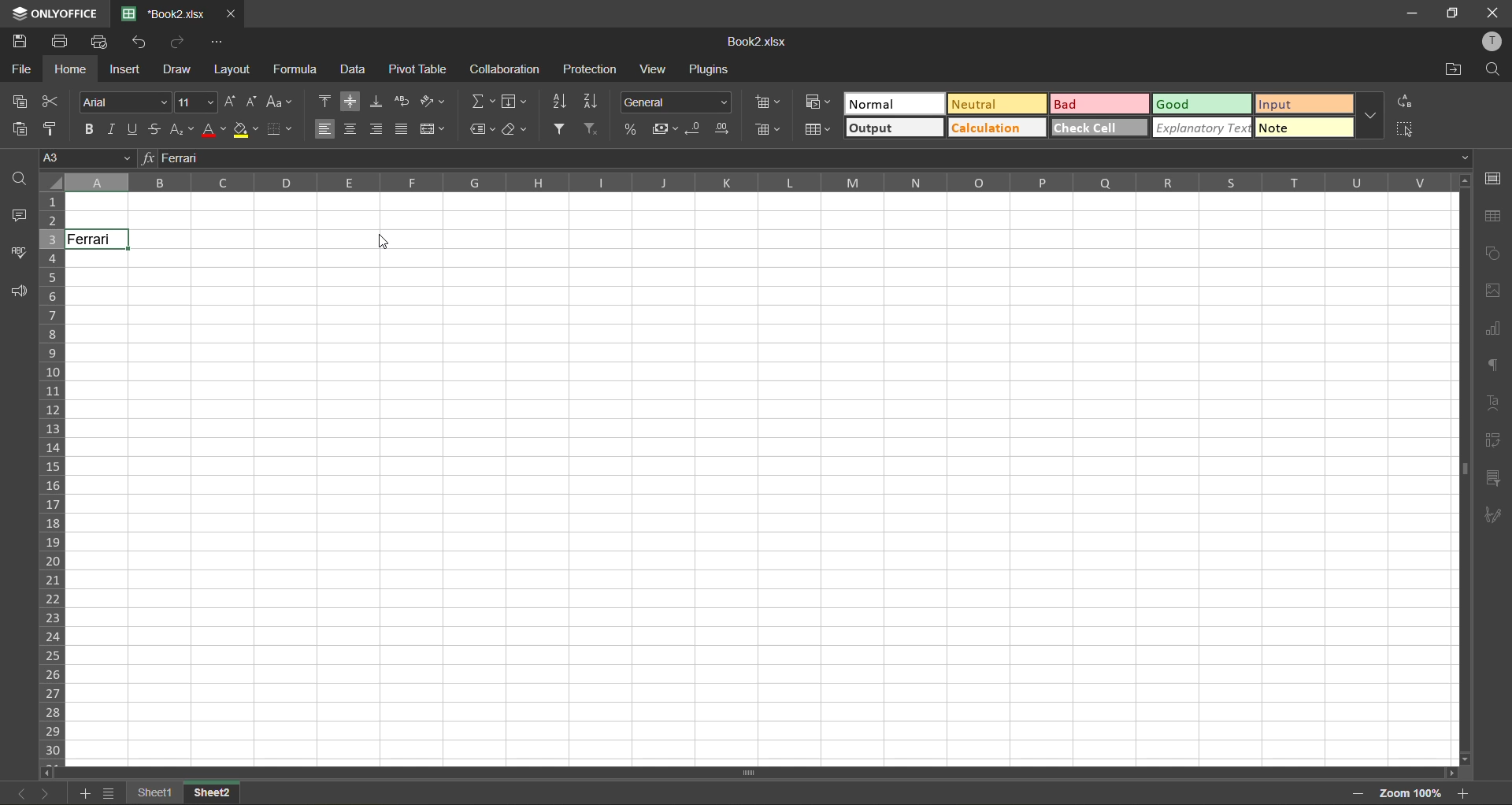 The width and height of the screenshot is (1512, 805). Describe the element at coordinates (431, 129) in the screenshot. I see `merge and center` at that location.